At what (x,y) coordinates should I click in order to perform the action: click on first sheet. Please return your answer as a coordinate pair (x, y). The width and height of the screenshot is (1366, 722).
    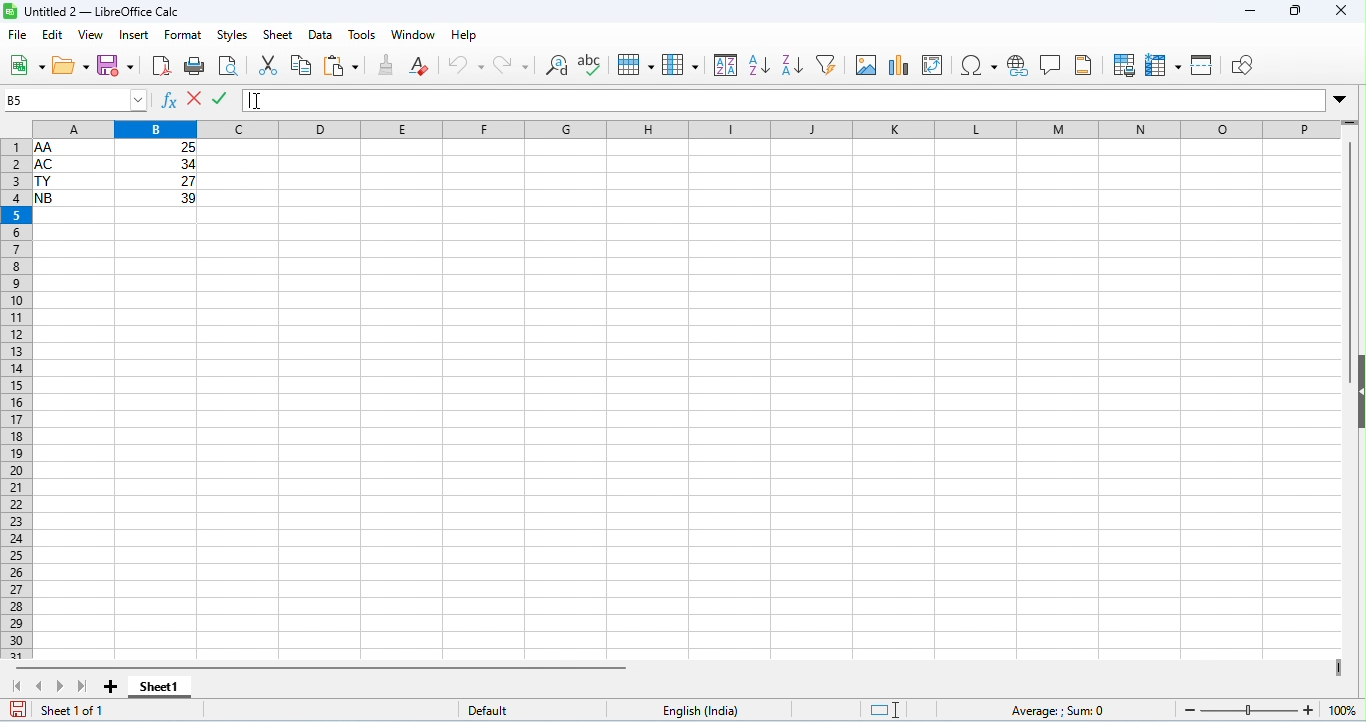
    Looking at the image, I should click on (19, 684).